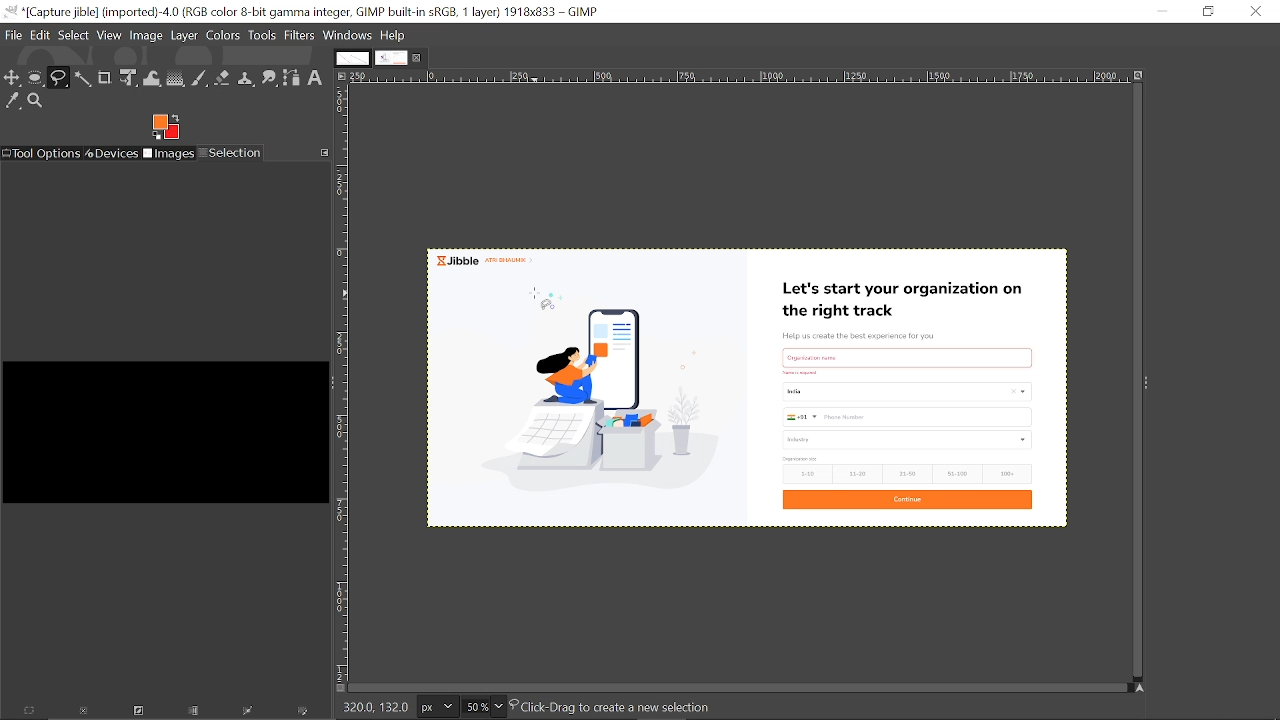 This screenshot has height=720, width=1280. What do you see at coordinates (147, 34) in the screenshot?
I see `Image` at bounding box center [147, 34].